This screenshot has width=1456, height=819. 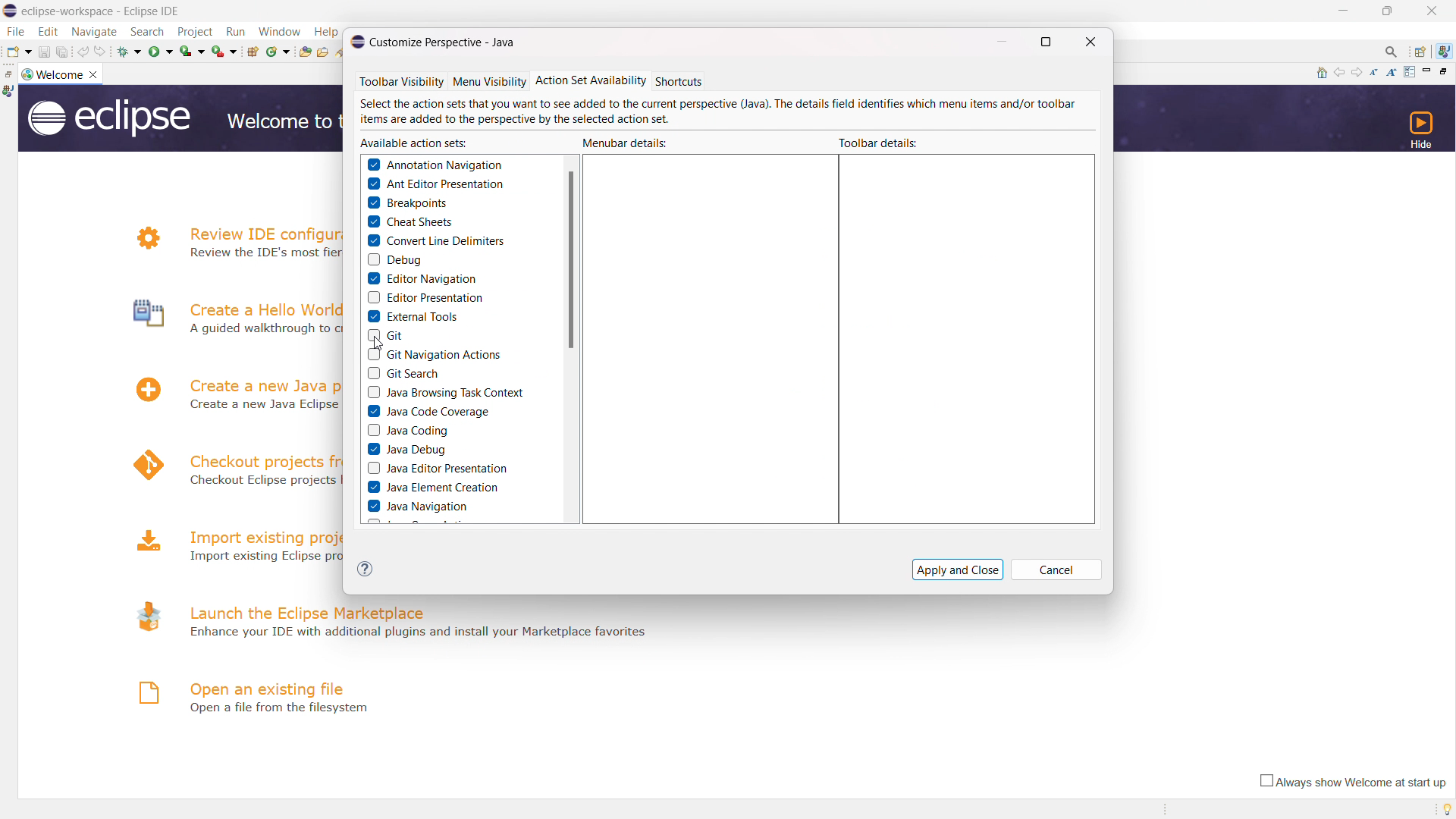 What do you see at coordinates (444, 391) in the screenshot?
I see `java browsing task context` at bounding box center [444, 391].